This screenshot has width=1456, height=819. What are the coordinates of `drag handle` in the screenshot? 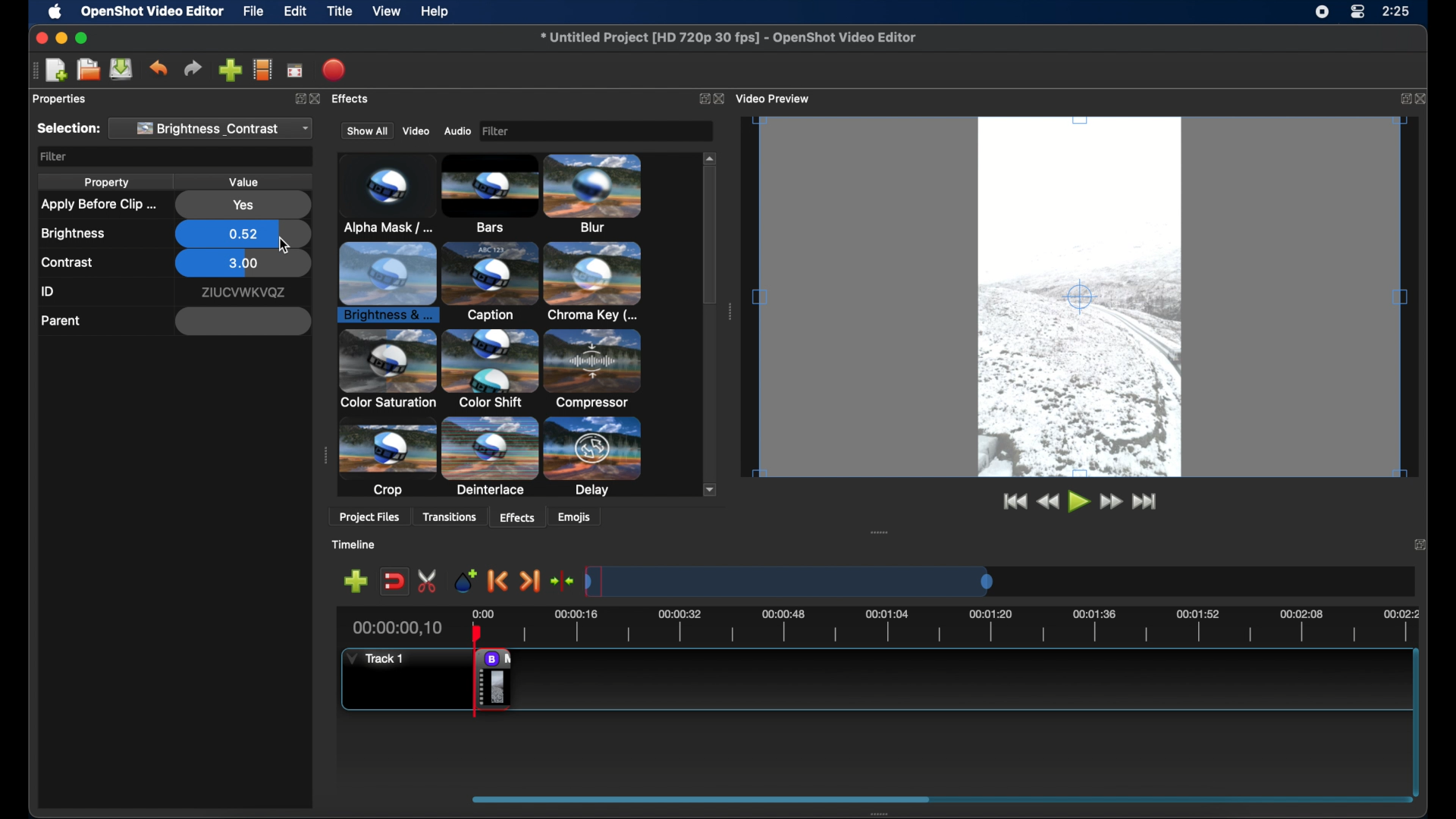 It's located at (33, 71).